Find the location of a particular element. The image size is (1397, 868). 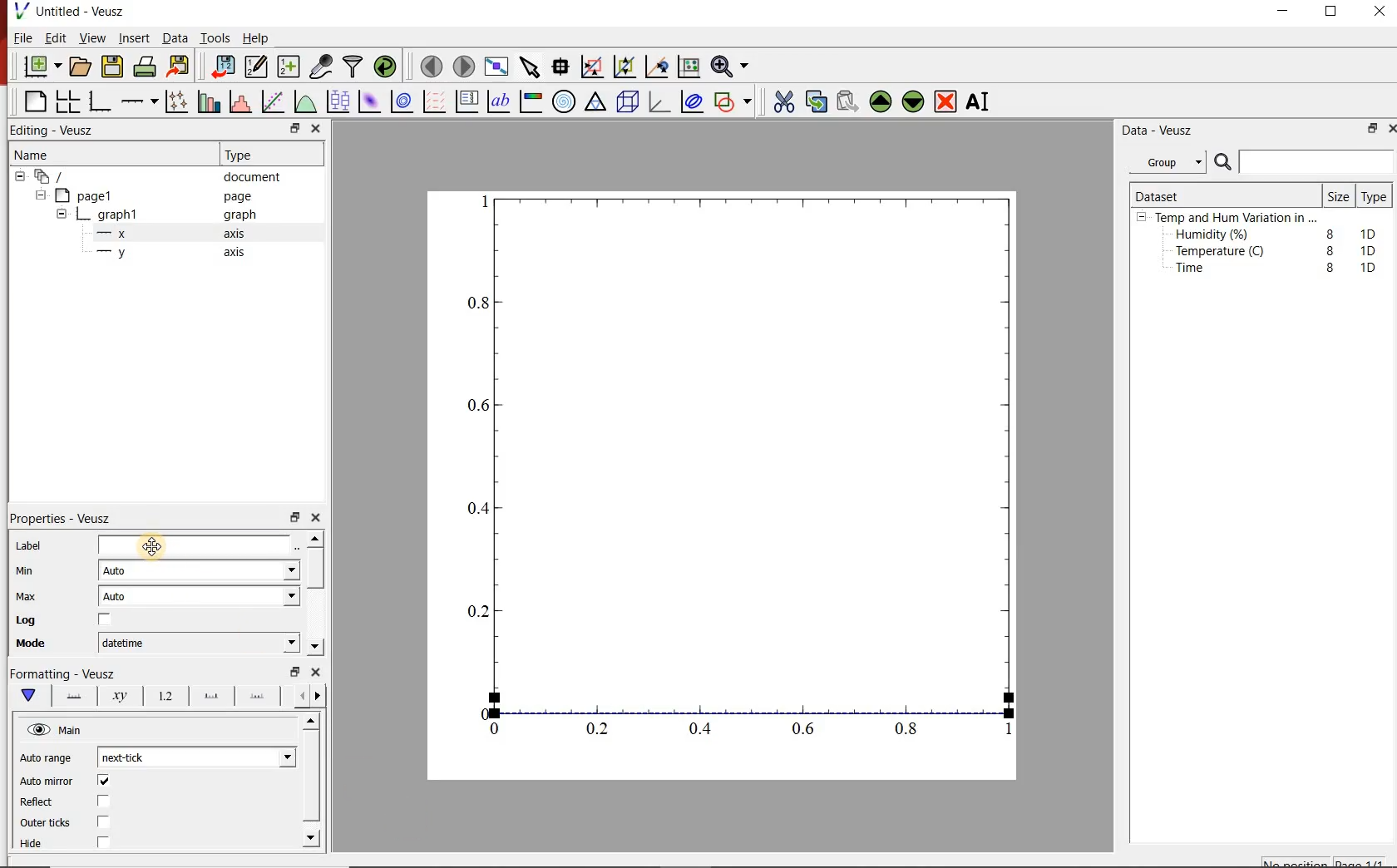

maximize is located at coordinates (1340, 12).